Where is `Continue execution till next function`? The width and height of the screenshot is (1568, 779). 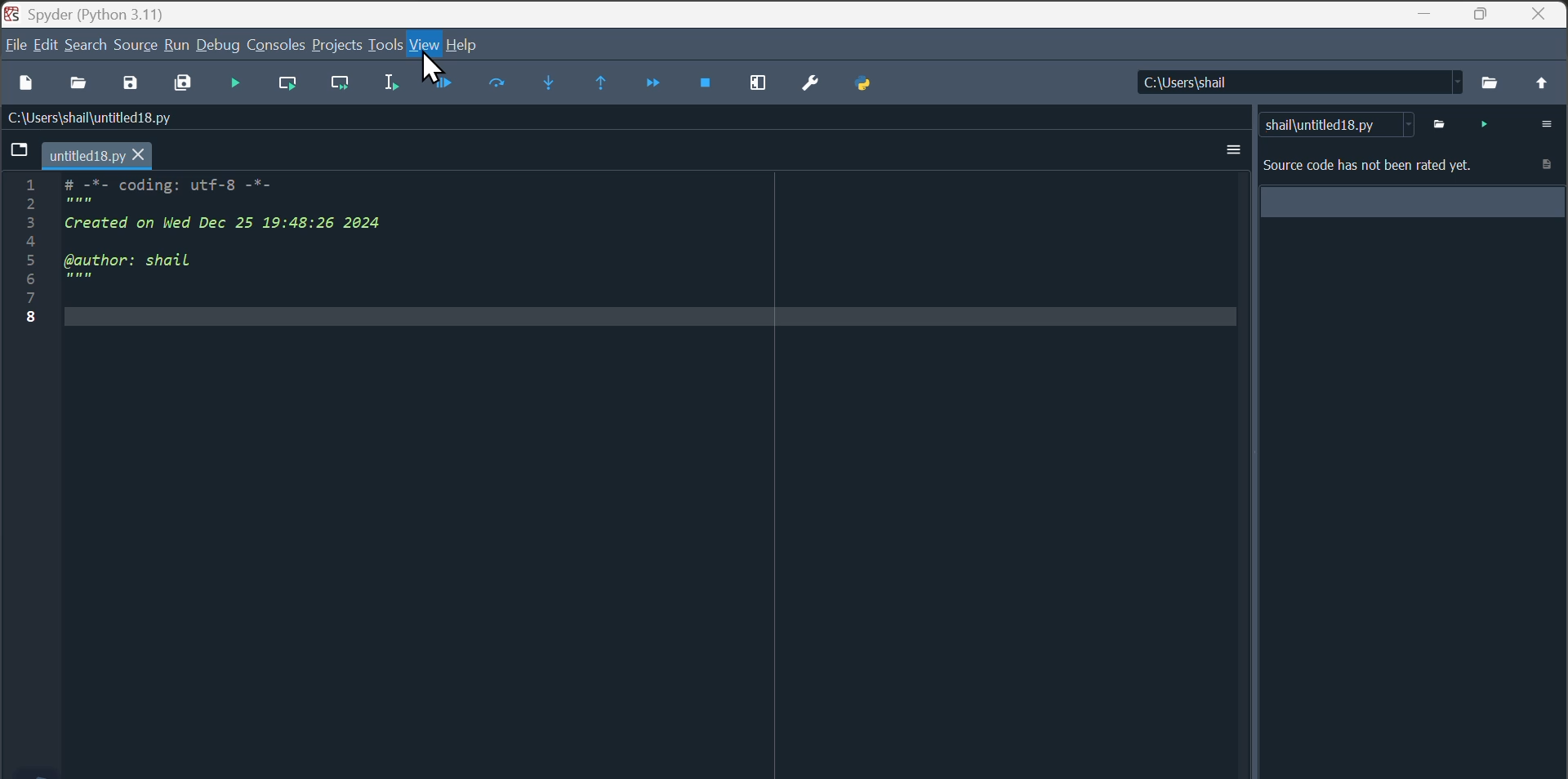 Continue execution till next function is located at coordinates (653, 91).